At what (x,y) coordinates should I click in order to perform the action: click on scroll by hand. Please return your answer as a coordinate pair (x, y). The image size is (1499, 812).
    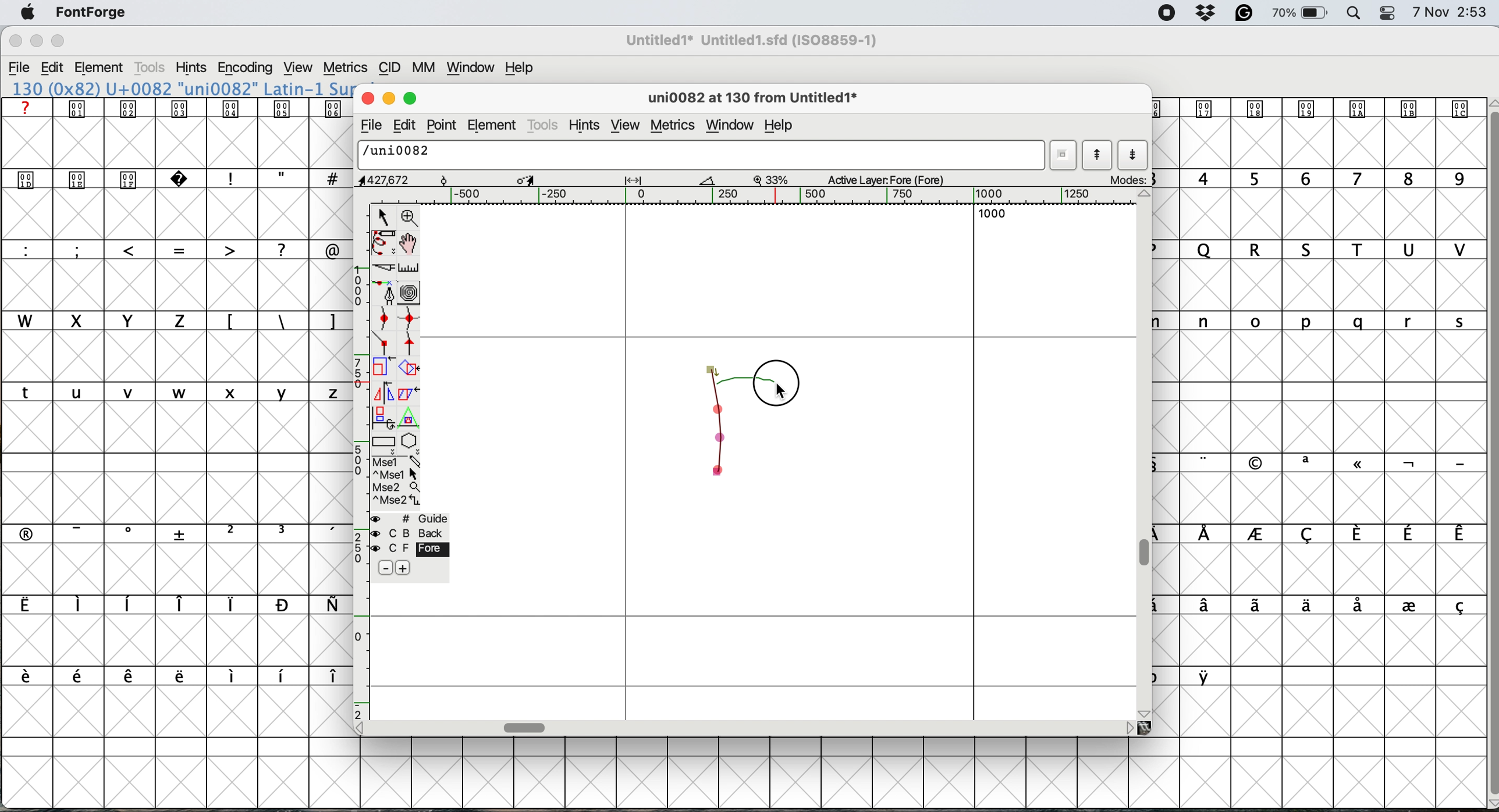
    Looking at the image, I should click on (407, 244).